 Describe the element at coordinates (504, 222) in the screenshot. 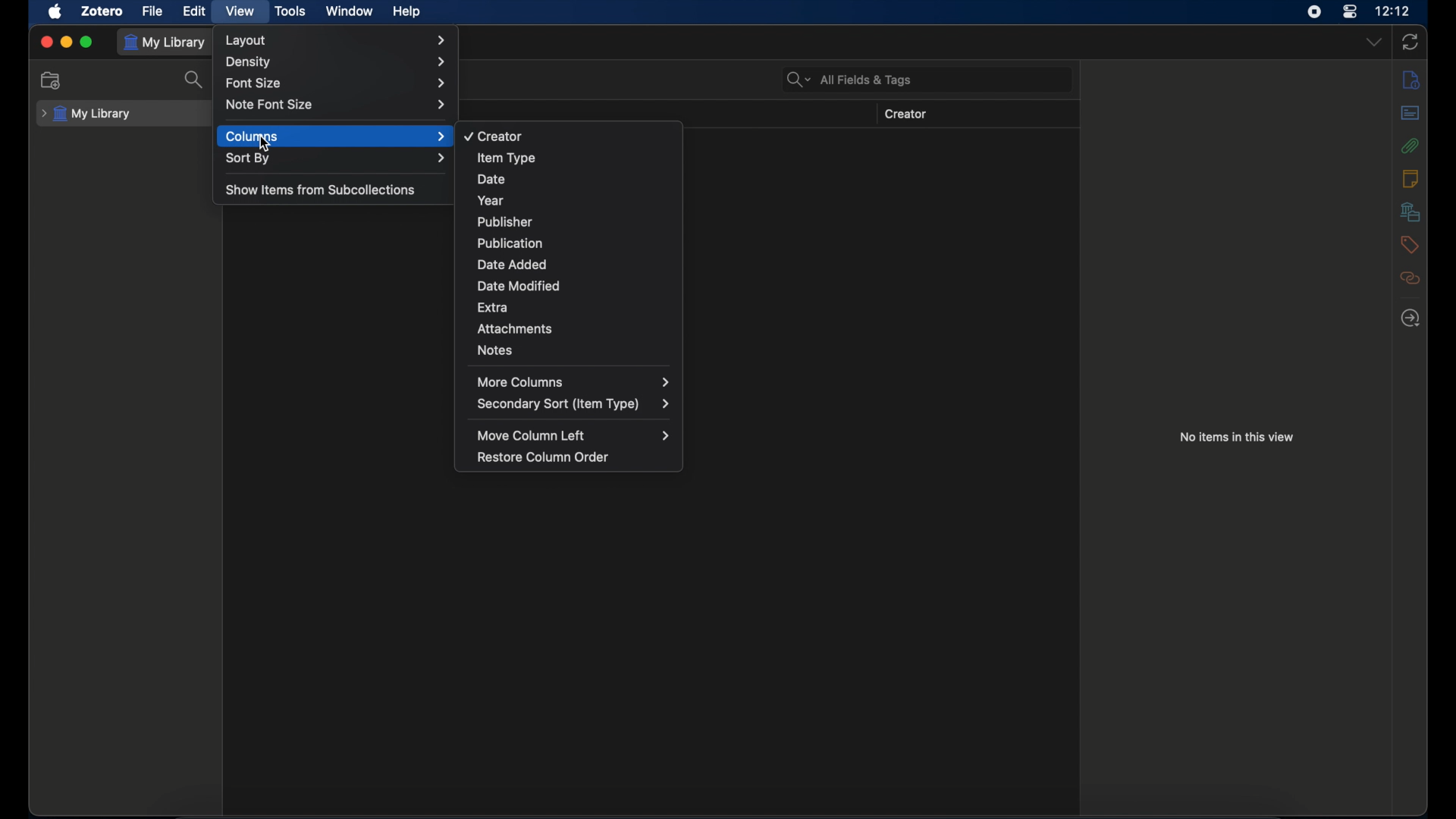

I see `publisher` at that location.